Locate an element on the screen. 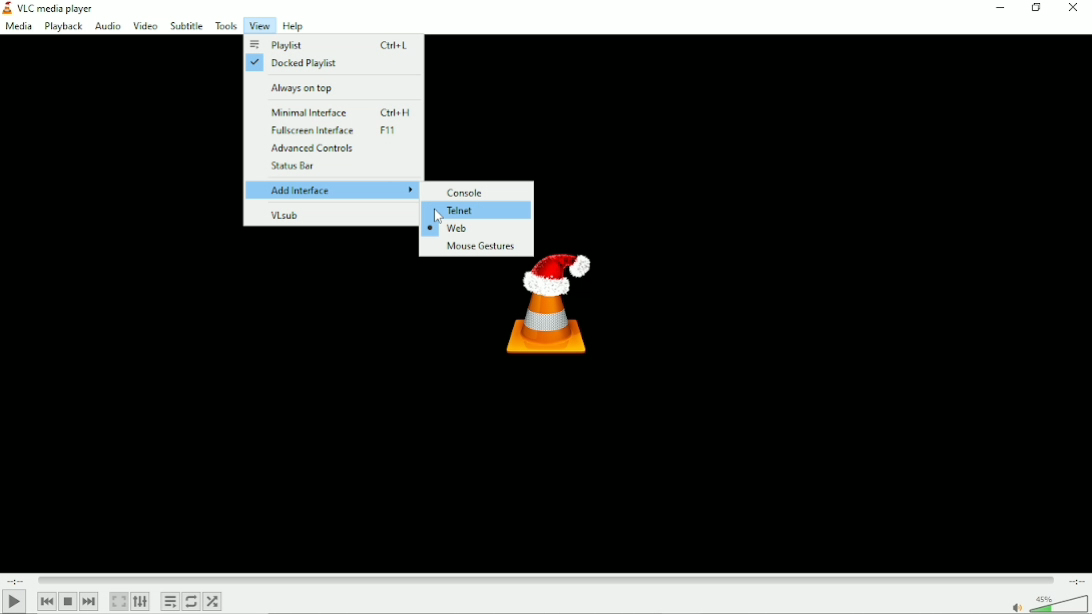 Image resolution: width=1092 pixels, height=614 pixels. Play duration is located at coordinates (546, 580).